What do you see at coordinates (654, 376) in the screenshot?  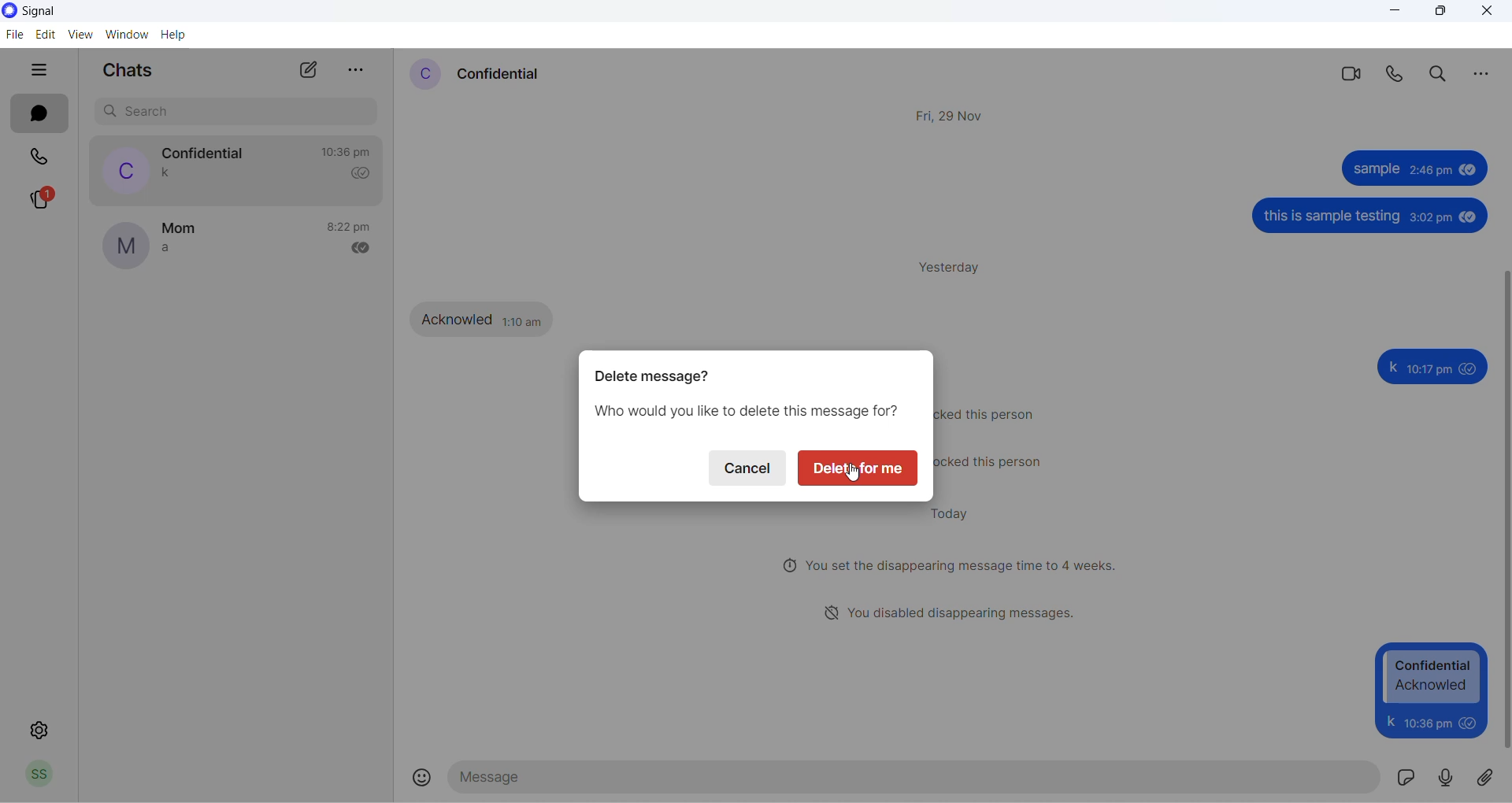 I see `delete message dialog box heading` at bounding box center [654, 376].